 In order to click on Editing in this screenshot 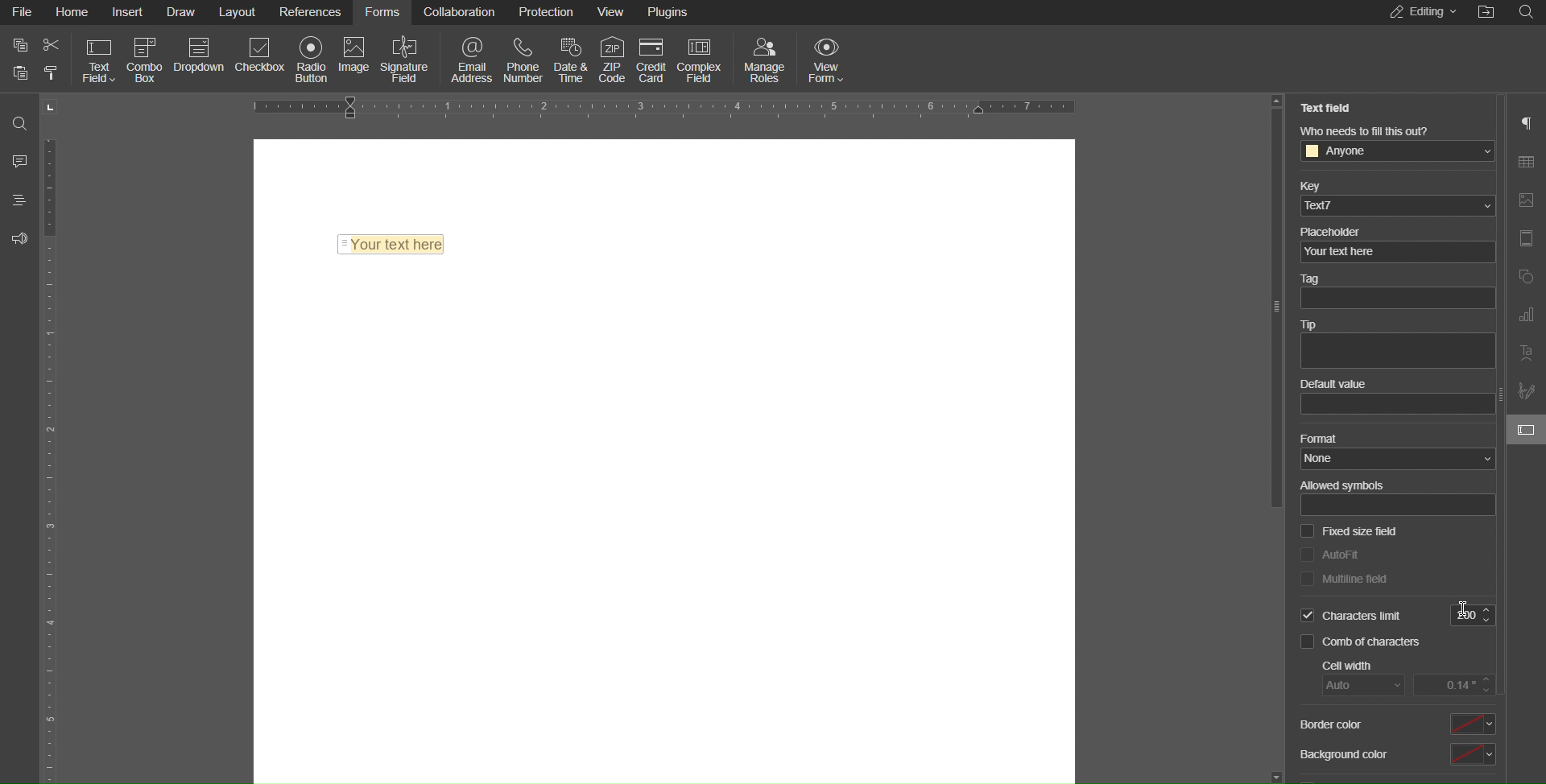, I will do `click(1419, 13)`.